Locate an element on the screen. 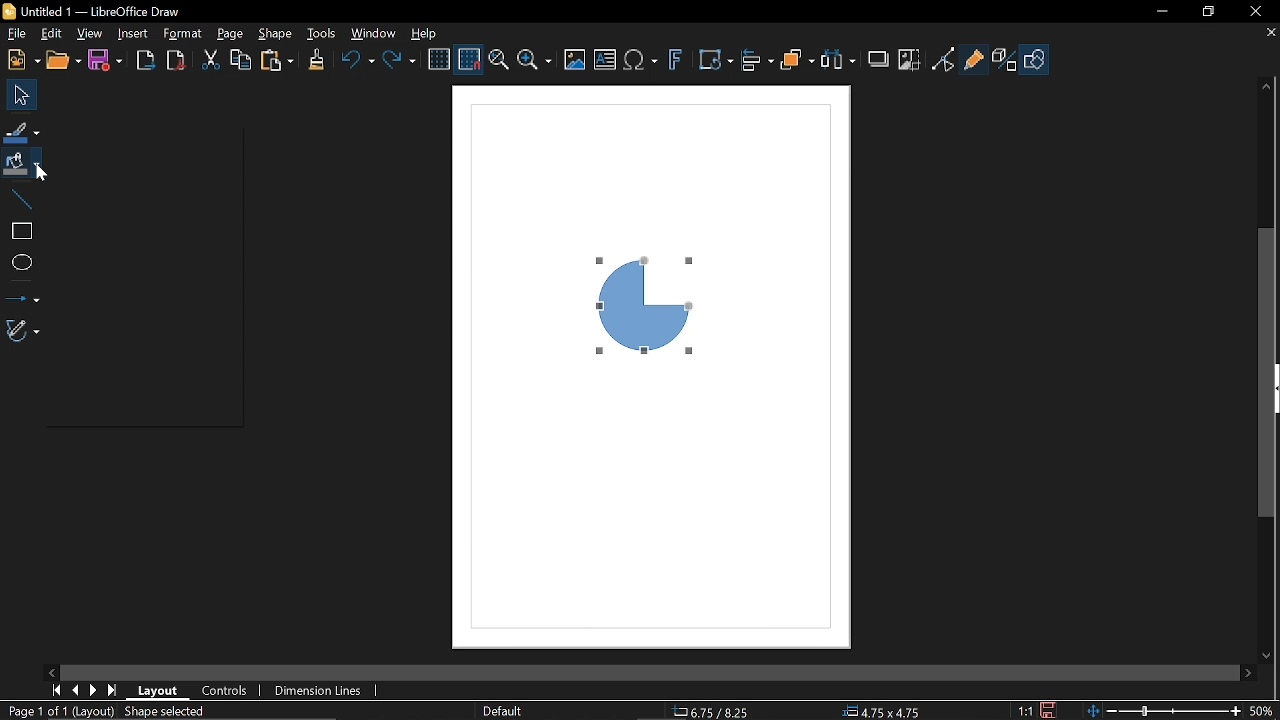 The image size is (1280, 720). Page 1 of 1 (Layout) is located at coordinates (58, 710).